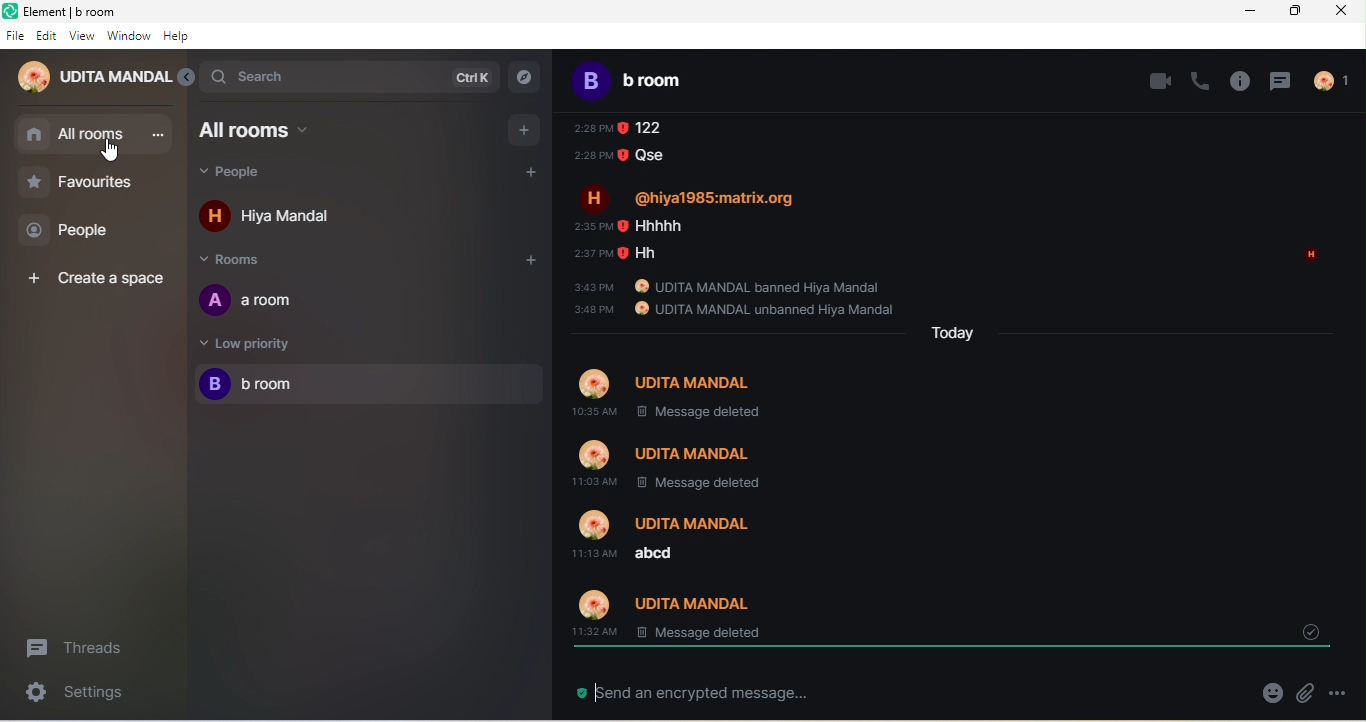 Image resolution: width=1366 pixels, height=722 pixels. What do you see at coordinates (94, 134) in the screenshot?
I see `all rooms` at bounding box center [94, 134].